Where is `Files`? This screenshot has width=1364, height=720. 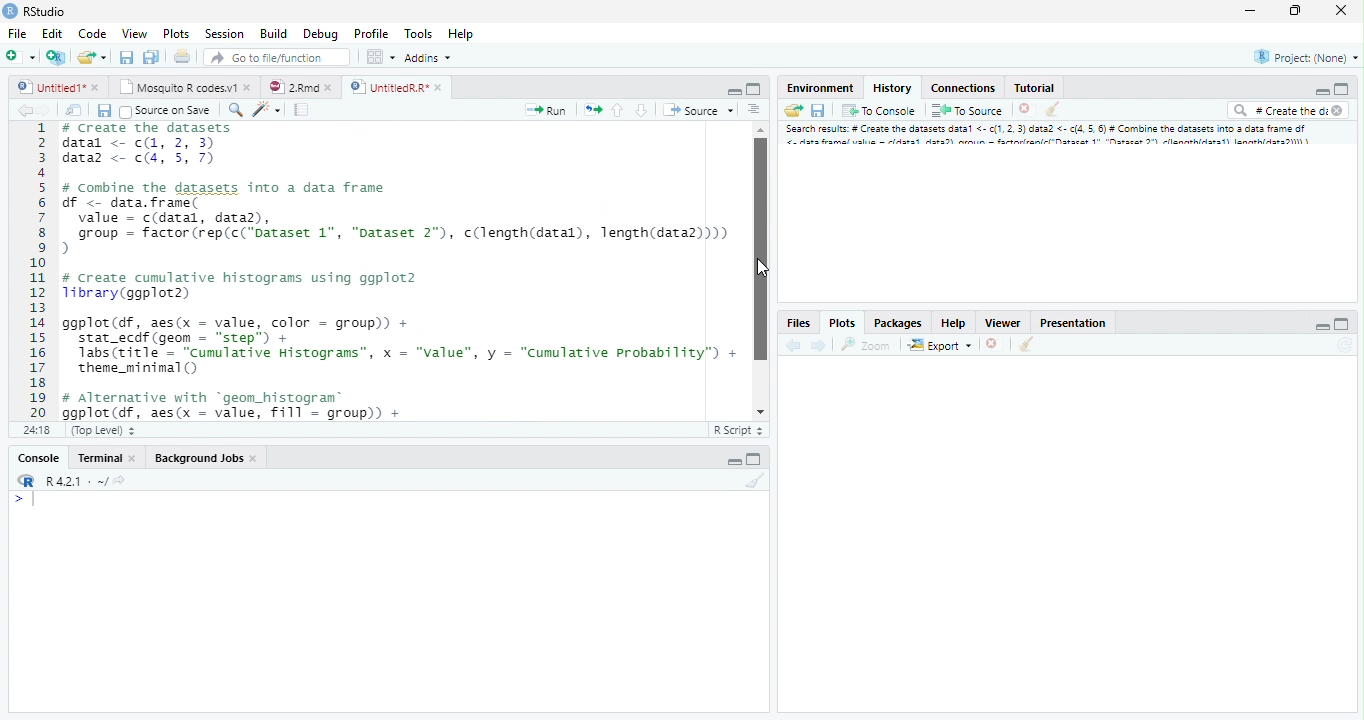
Files is located at coordinates (798, 321).